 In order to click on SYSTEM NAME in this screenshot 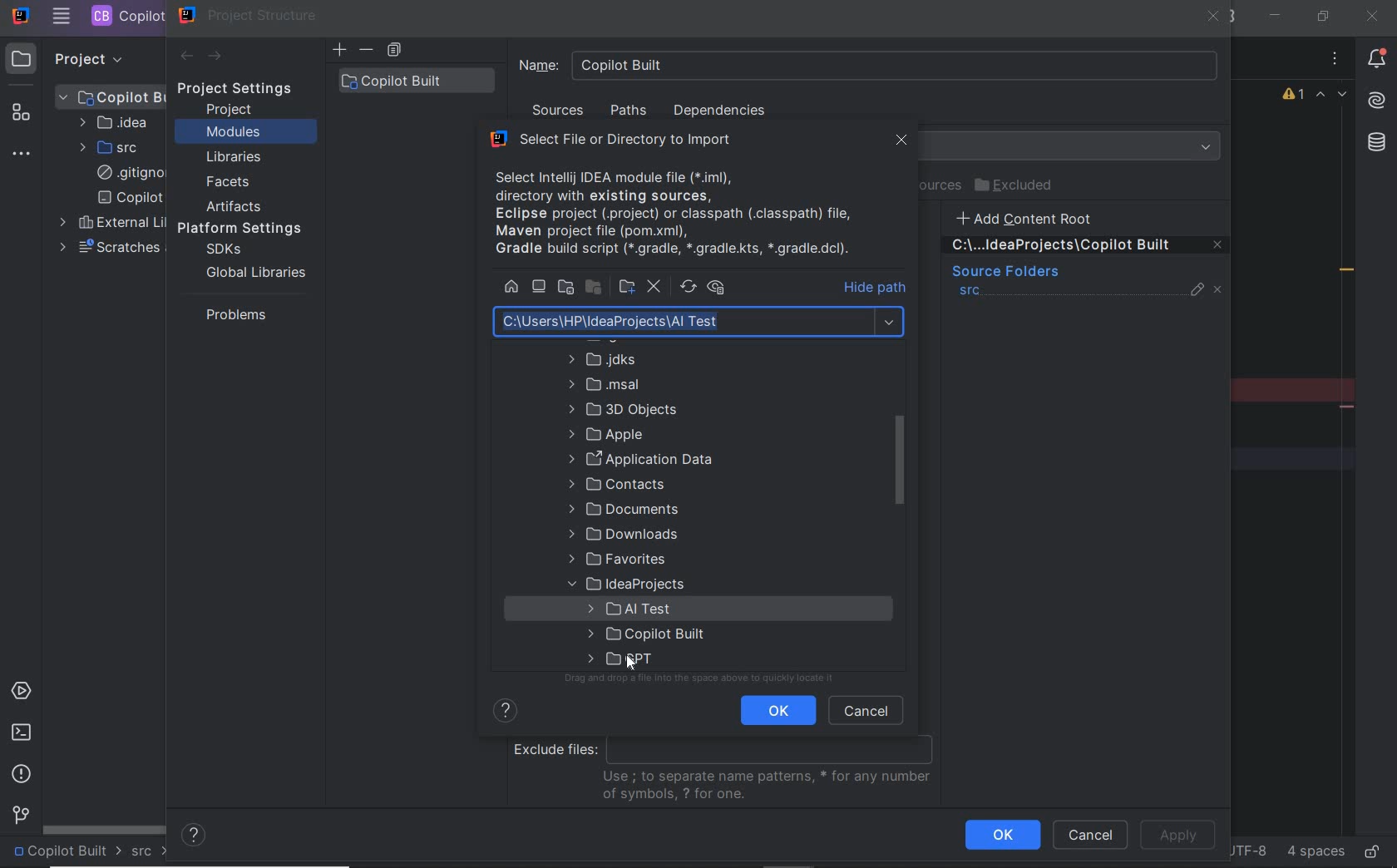, I will do `click(19, 17)`.